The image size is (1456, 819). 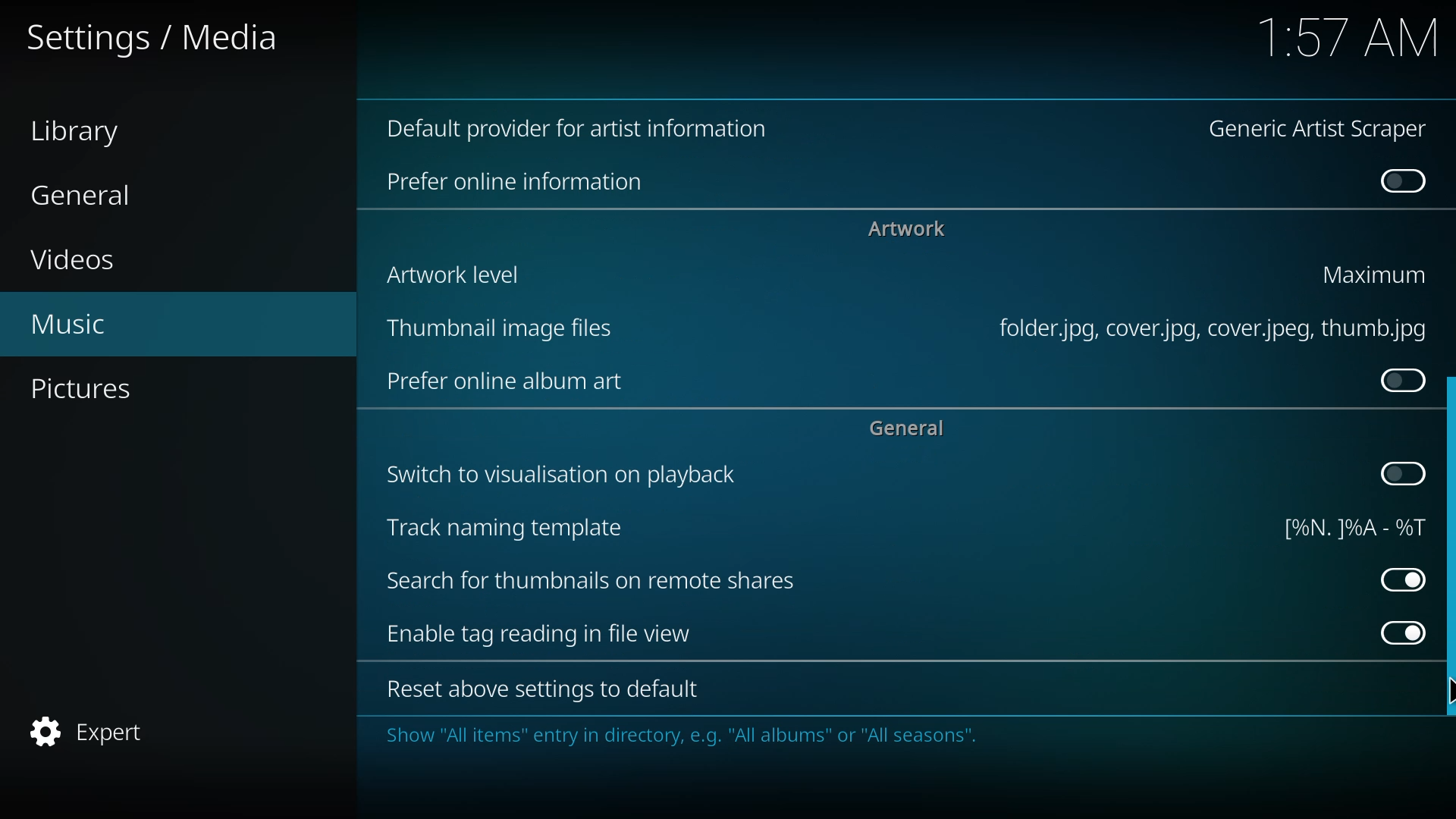 I want to click on click to enable, so click(x=1398, y=472).